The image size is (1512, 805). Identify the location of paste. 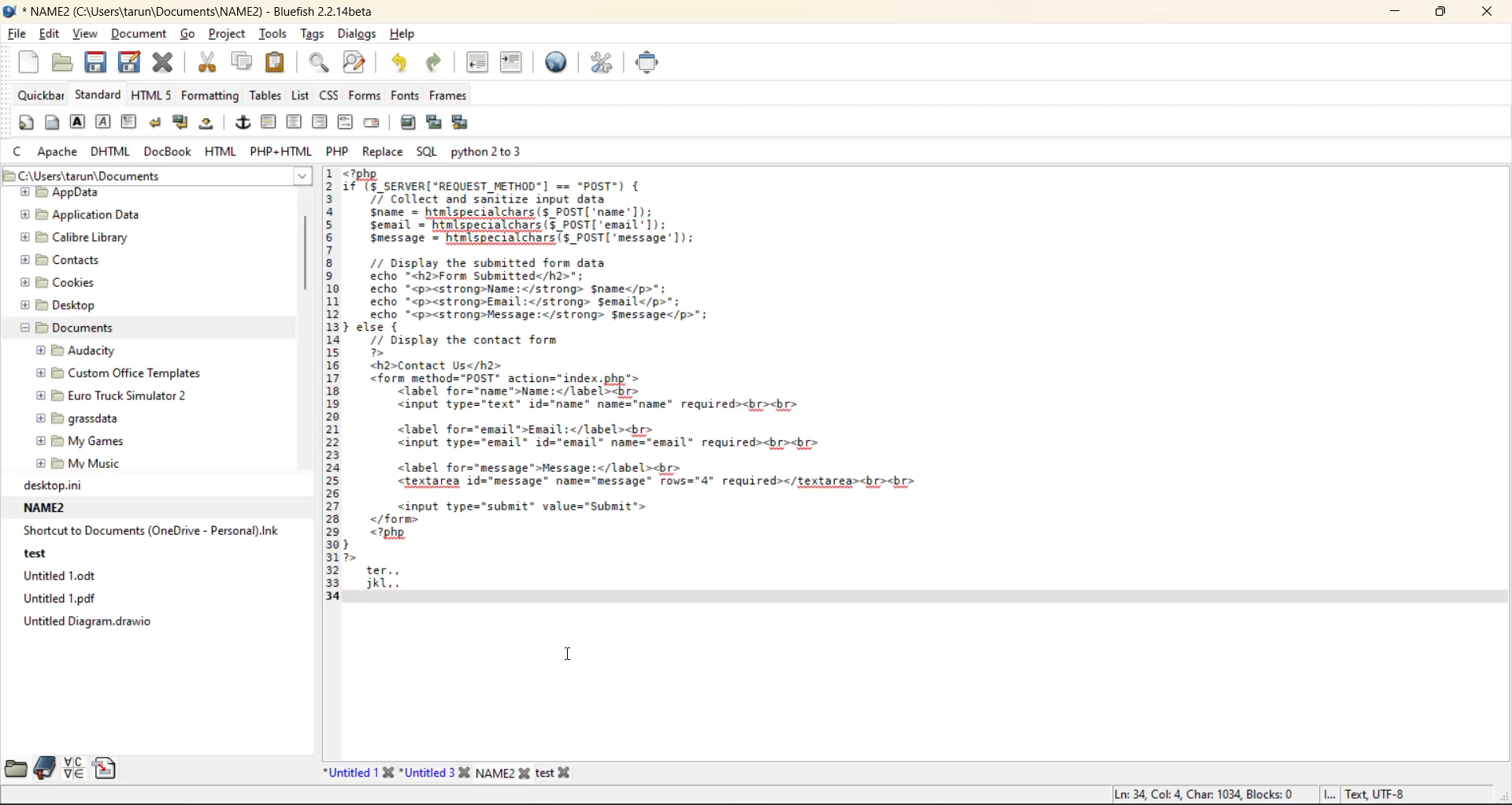
(279, 65).